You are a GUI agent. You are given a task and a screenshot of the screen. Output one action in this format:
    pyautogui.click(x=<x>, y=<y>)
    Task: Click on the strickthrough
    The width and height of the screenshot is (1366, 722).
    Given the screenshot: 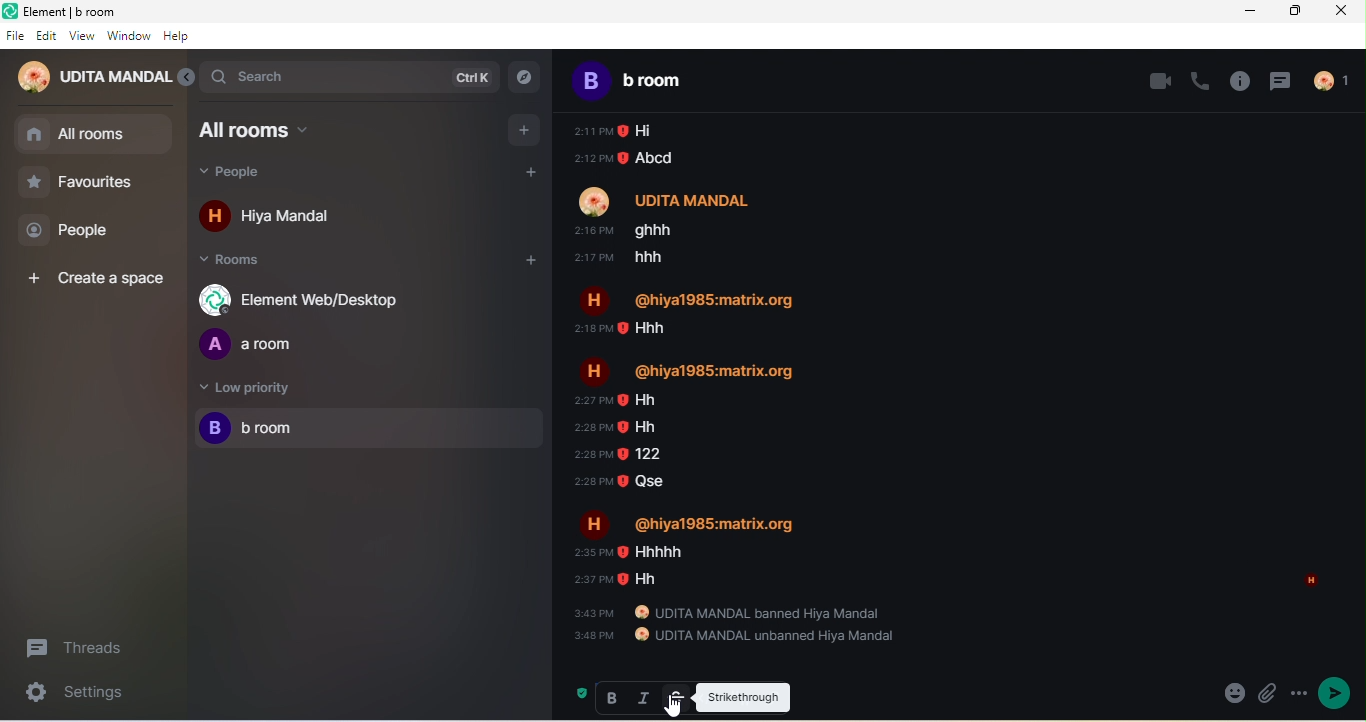 What is the action you would take?
    pyautogui.click(x=747, y=697)
    